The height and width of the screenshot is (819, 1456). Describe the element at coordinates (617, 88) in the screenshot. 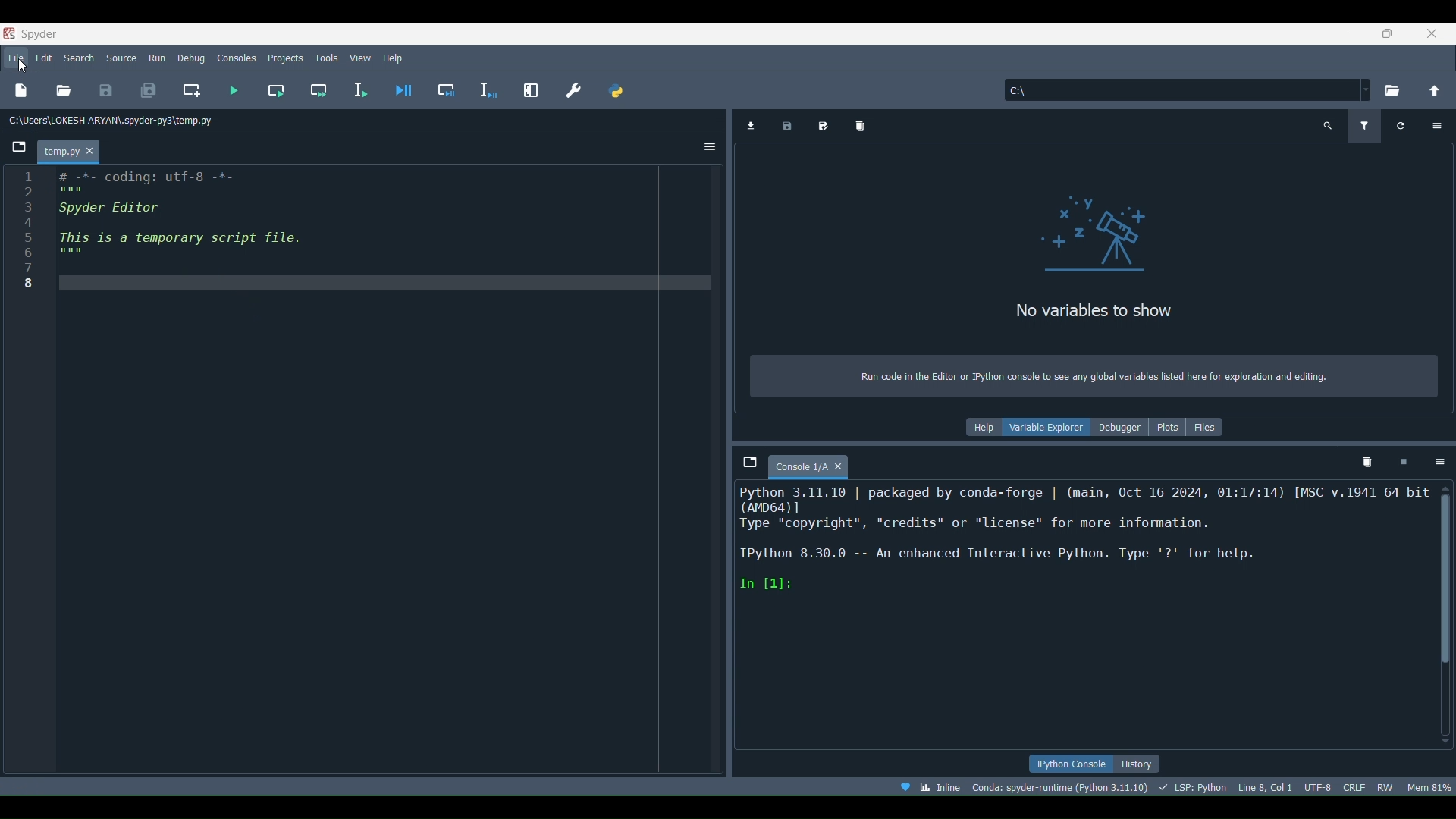

I see `PYTHONPATH manager` at that location.